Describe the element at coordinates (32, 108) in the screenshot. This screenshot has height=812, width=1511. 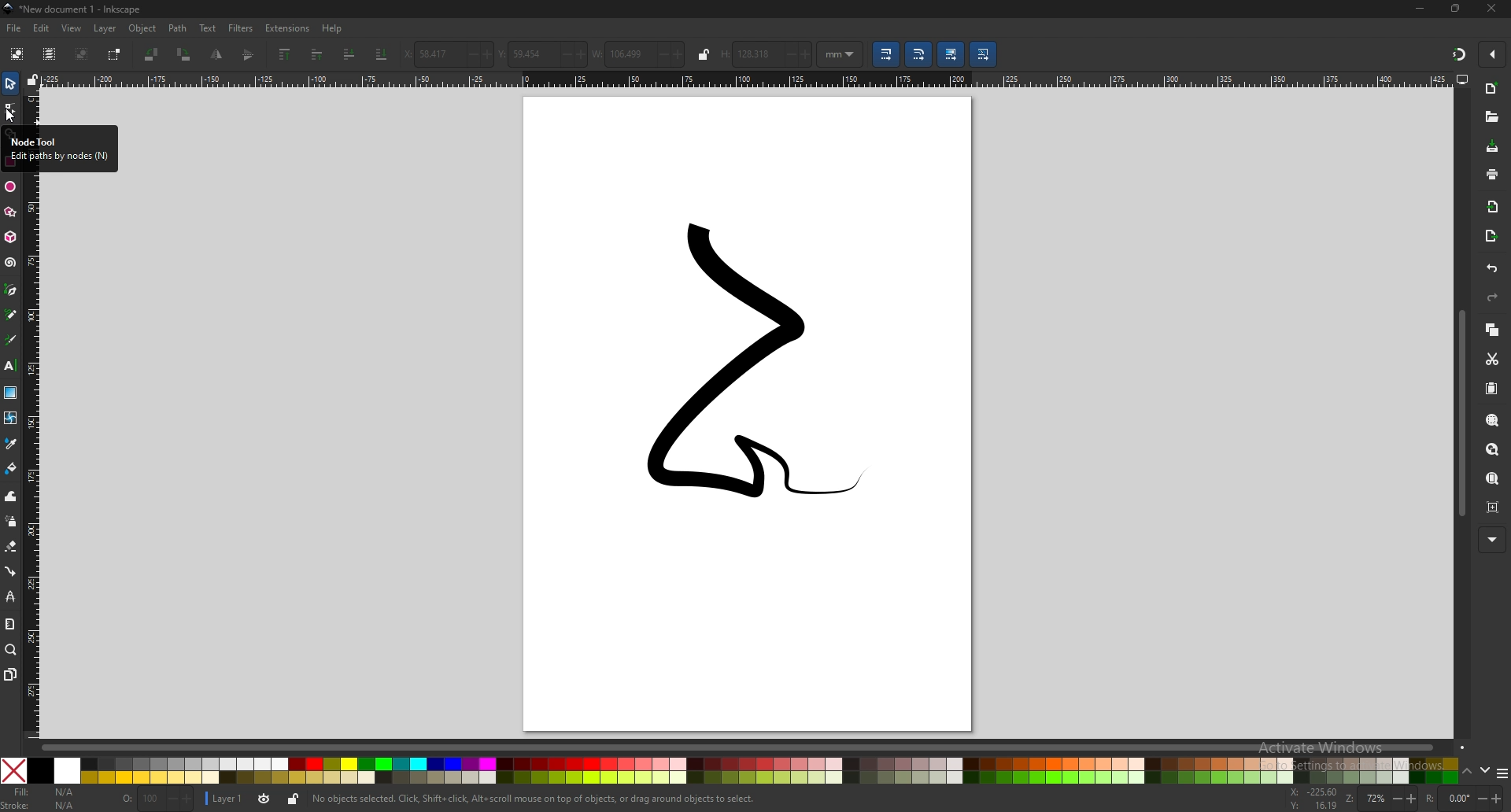
I see `vertical scale` at that location.